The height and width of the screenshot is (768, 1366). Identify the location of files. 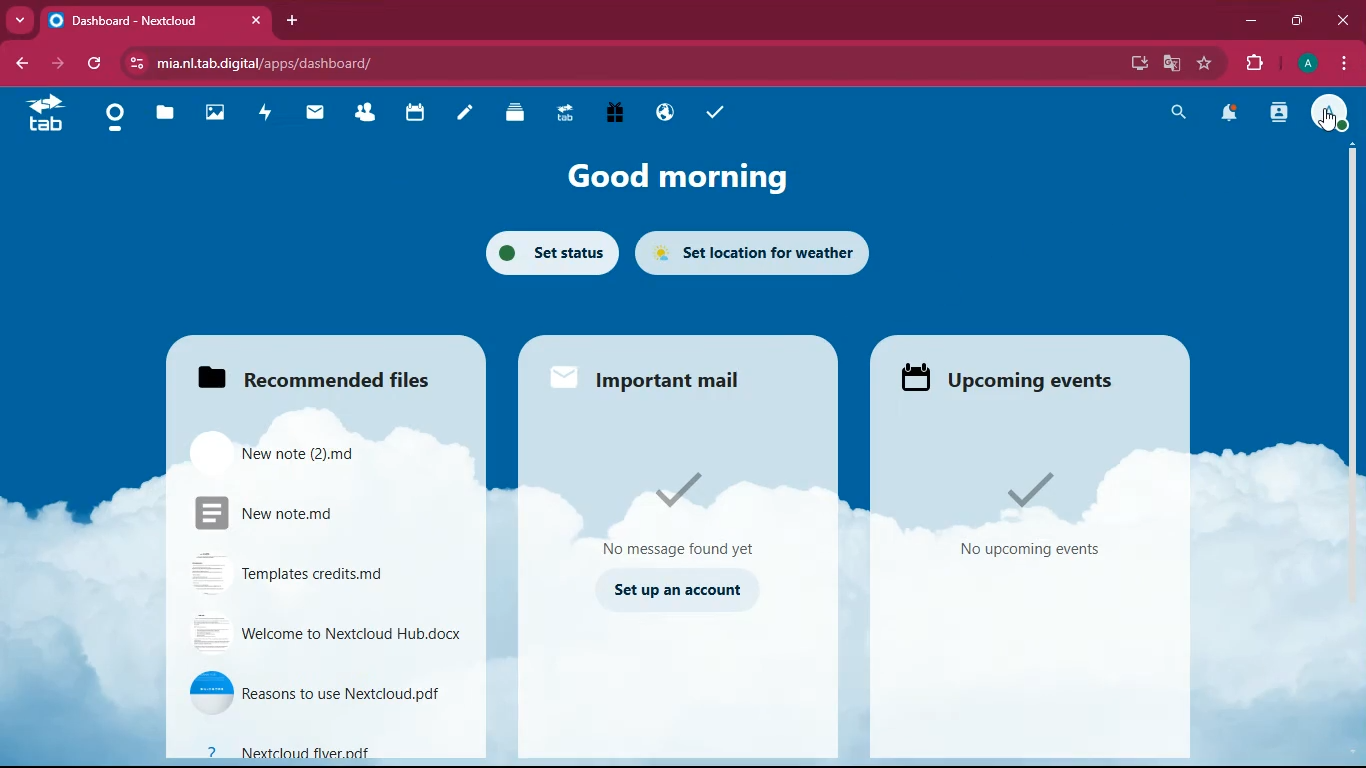
(306, 374).